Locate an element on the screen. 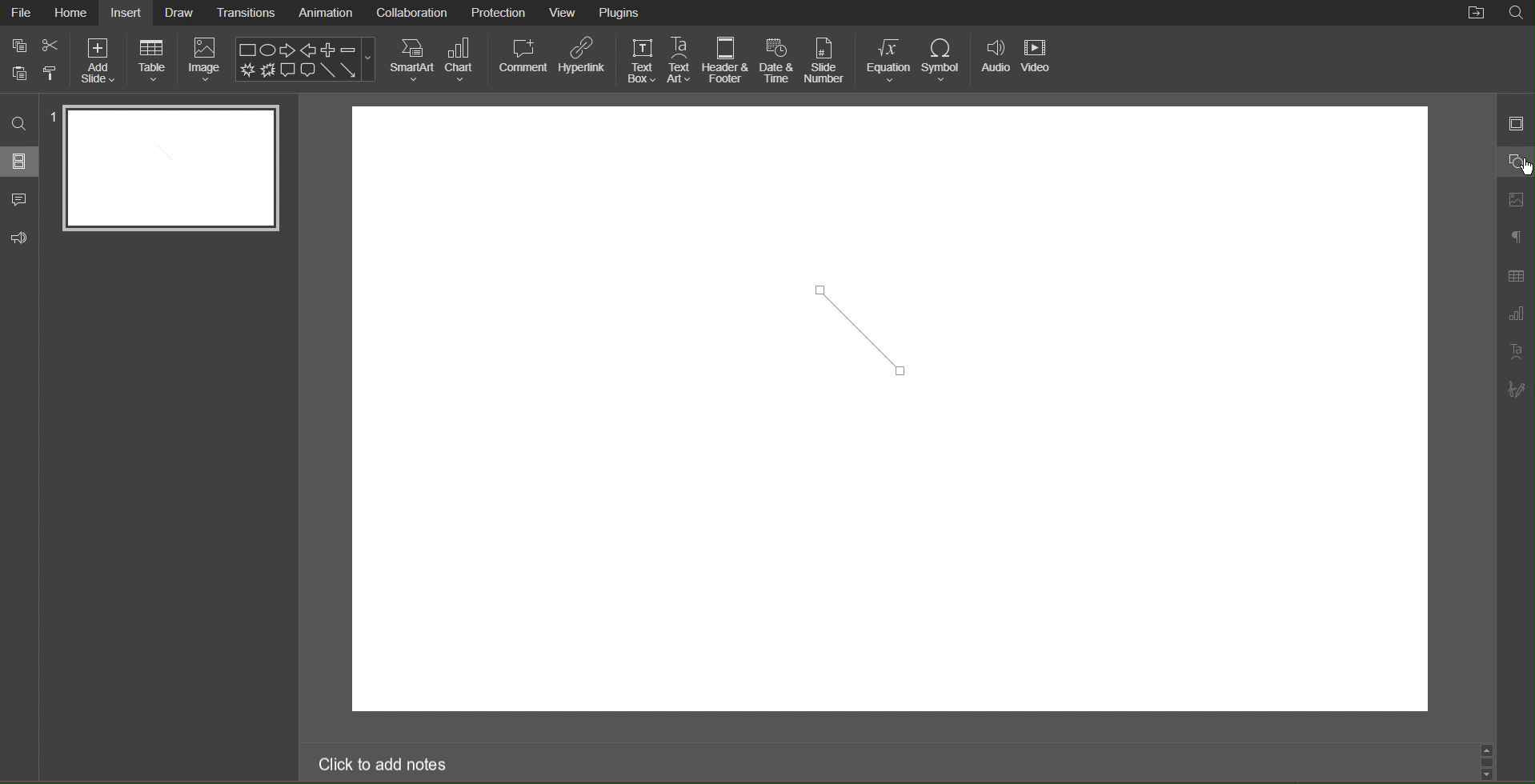  Line is located at coordinates (854, 328).